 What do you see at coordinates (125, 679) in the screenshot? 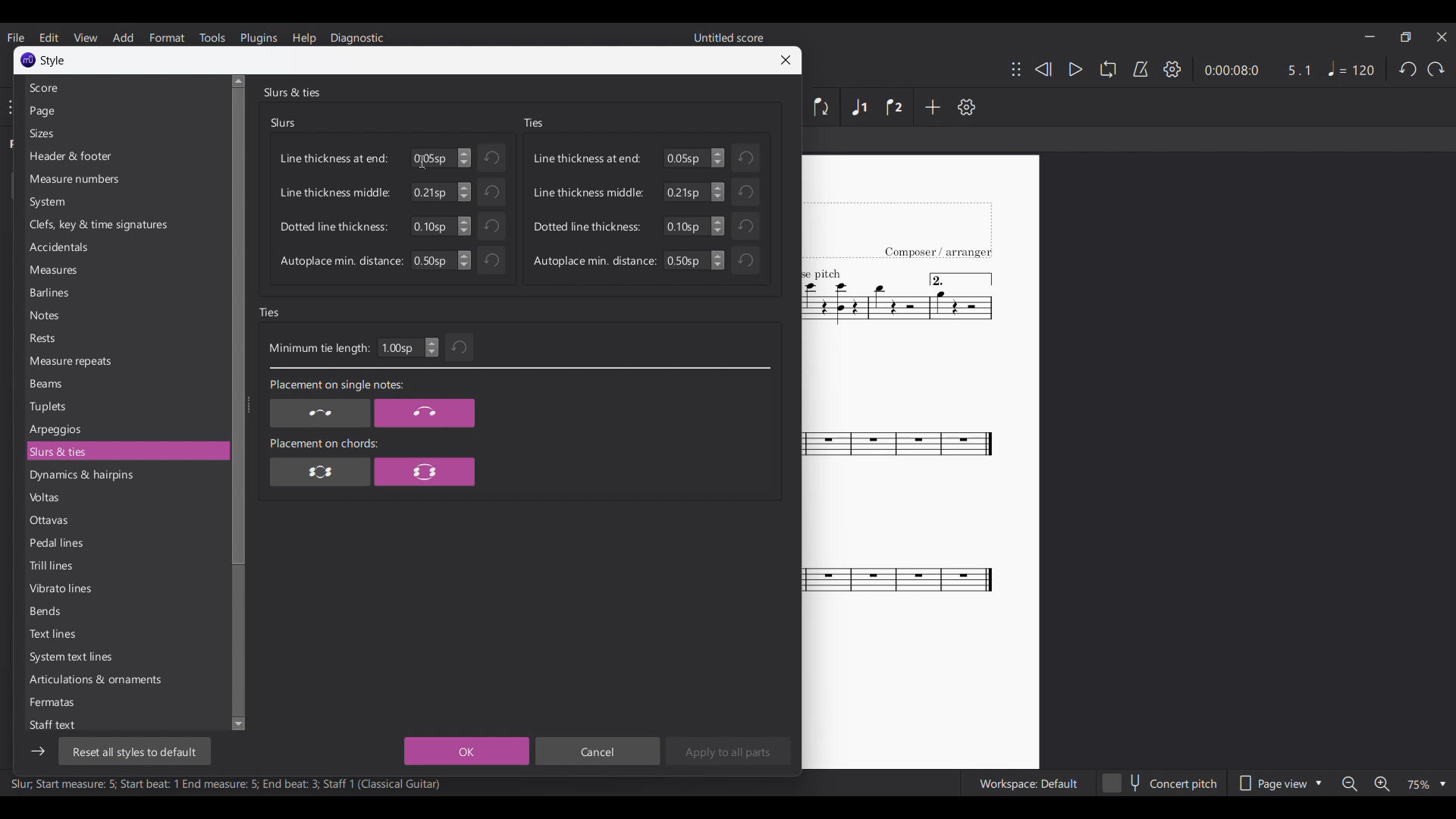
I see `Articulations & ornaments` at bounding box center [125, 679].